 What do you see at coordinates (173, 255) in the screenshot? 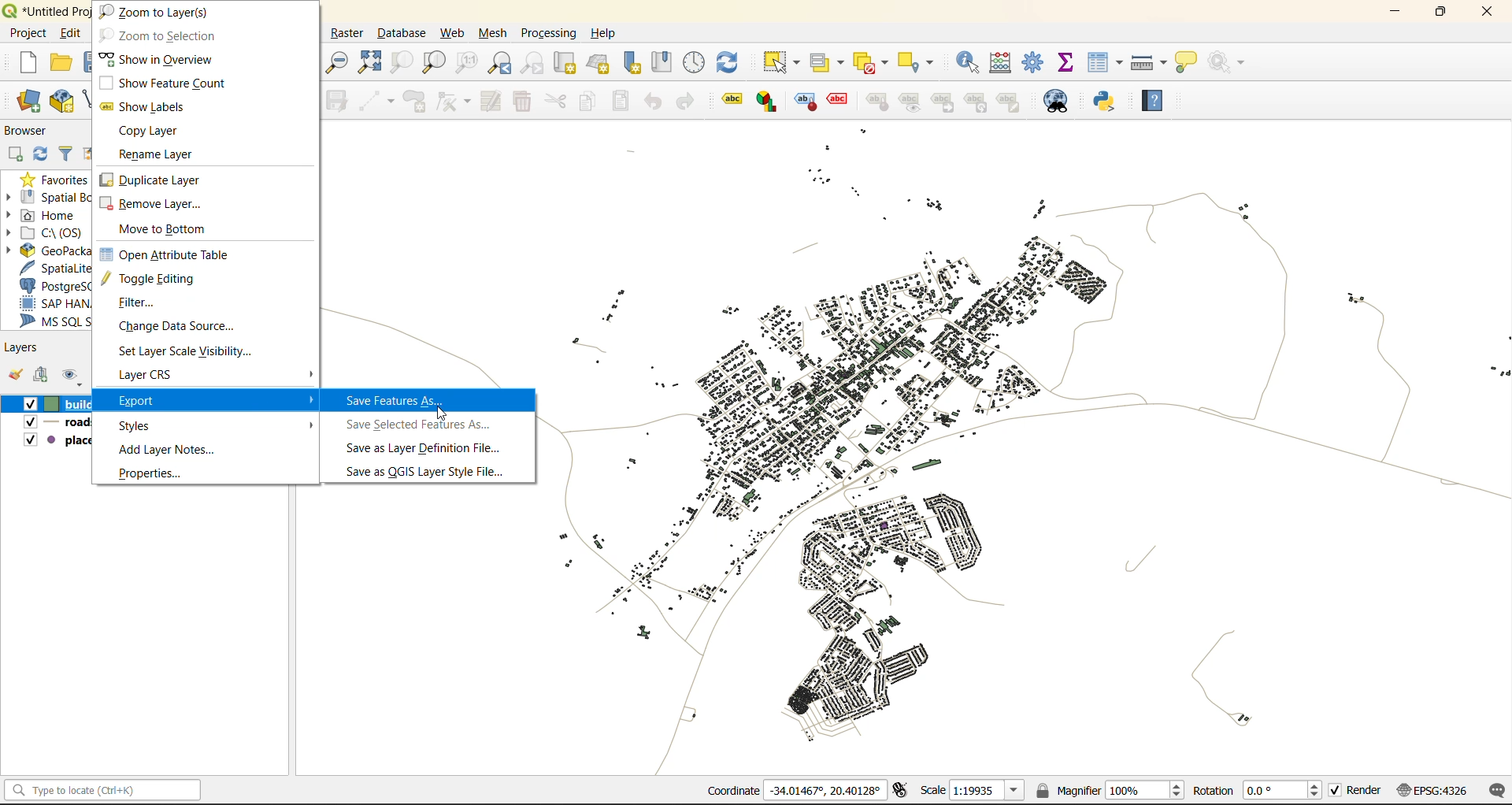
I see `open attribute table` at bounding box center [173, 255].